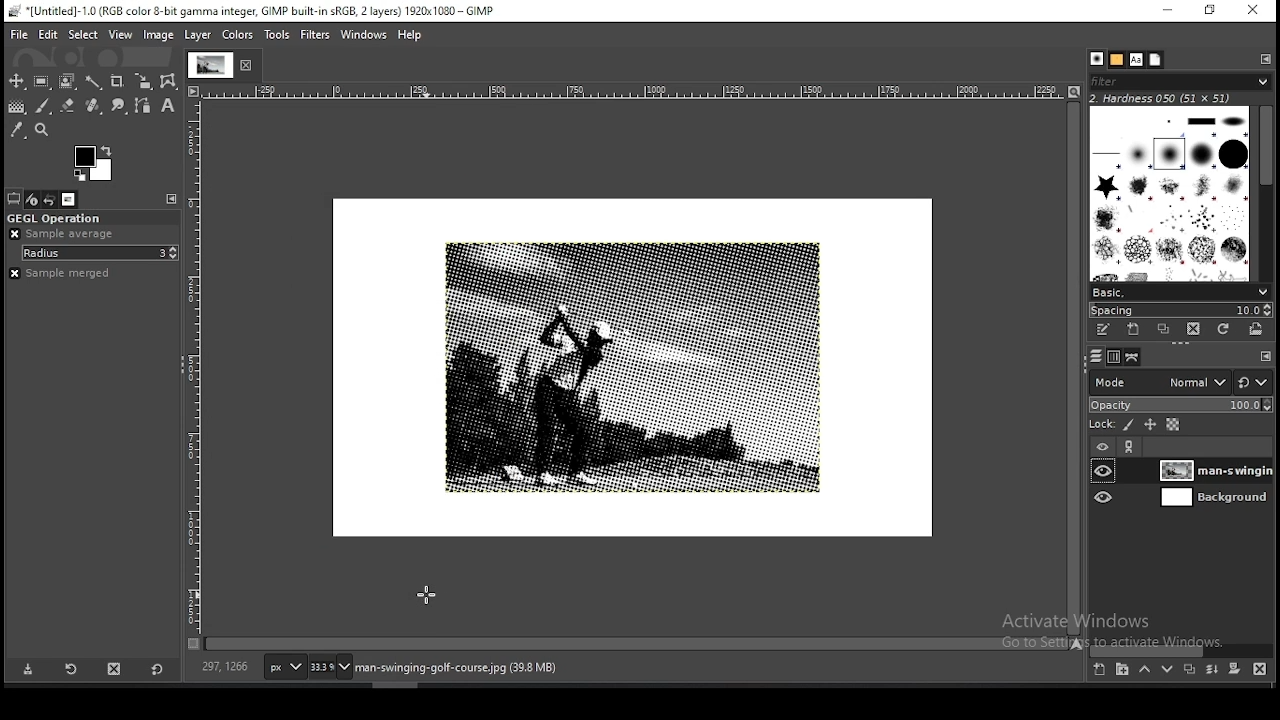  Describe the element at coordinates (1193, 329) in the screenshot. I see `delete brush` at that location.